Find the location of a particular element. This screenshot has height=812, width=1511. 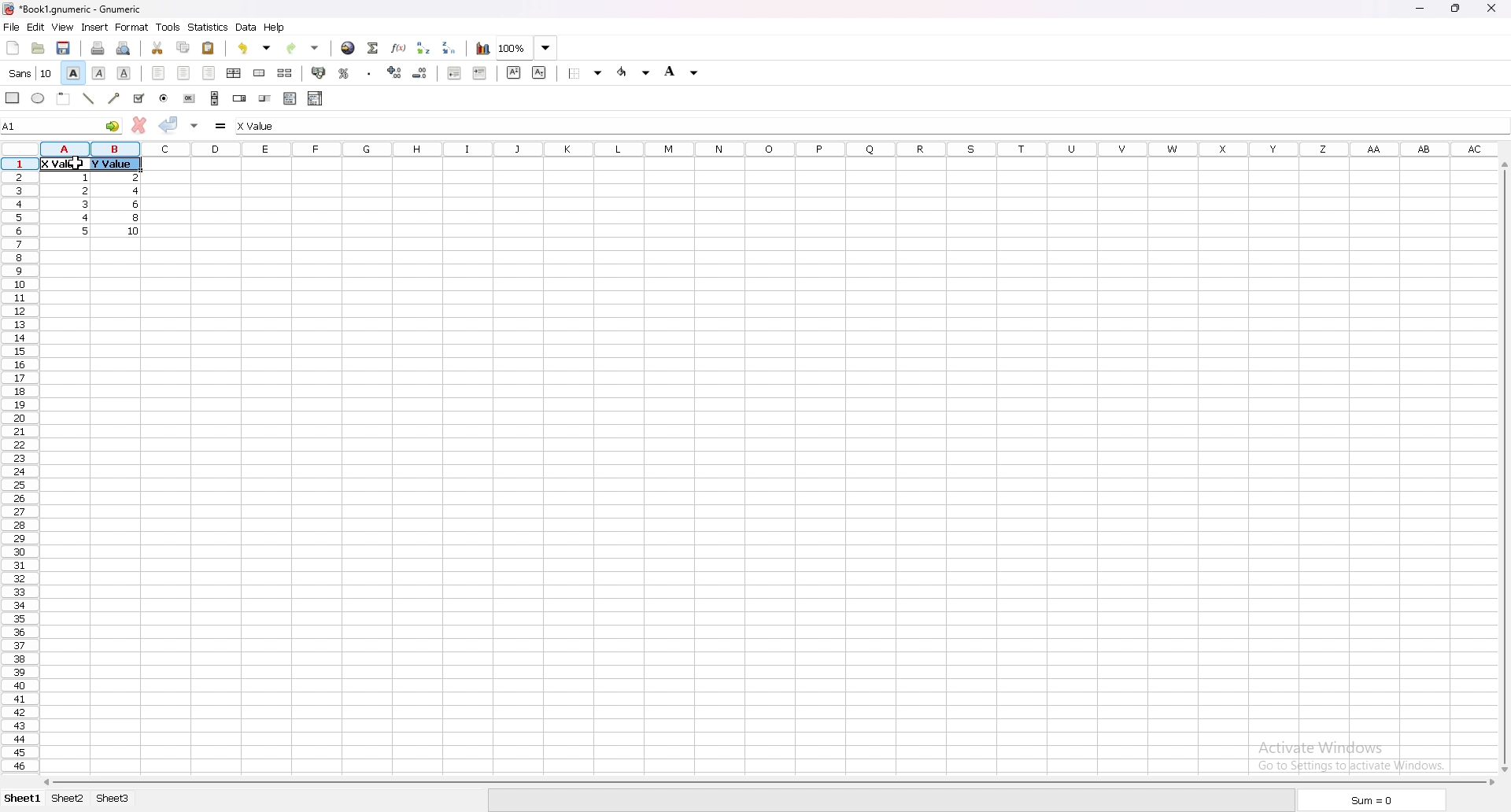

chart is located at coordinates (483, 48).